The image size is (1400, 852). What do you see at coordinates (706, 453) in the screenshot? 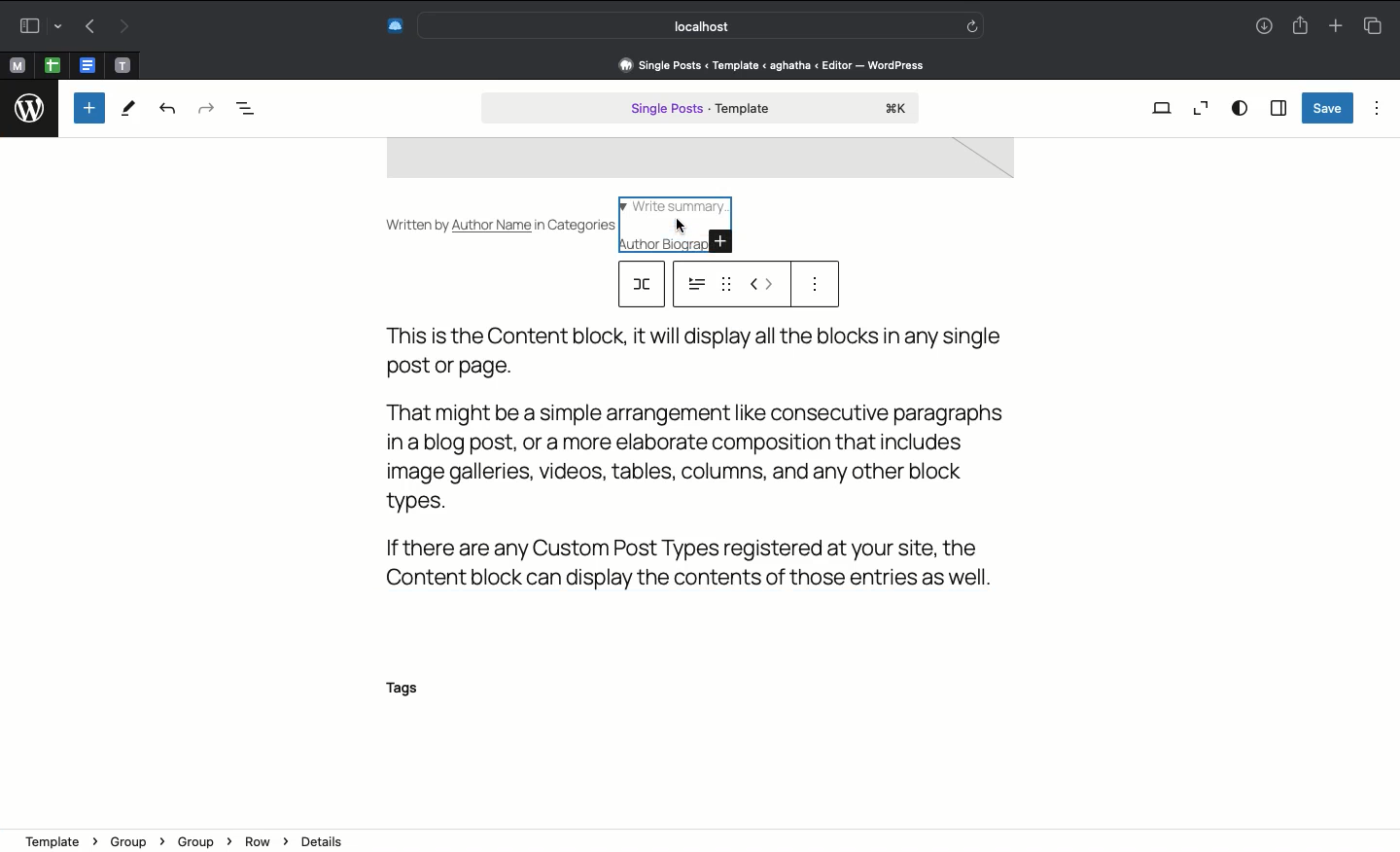
I see `Text` at bounding box center [706, 453].